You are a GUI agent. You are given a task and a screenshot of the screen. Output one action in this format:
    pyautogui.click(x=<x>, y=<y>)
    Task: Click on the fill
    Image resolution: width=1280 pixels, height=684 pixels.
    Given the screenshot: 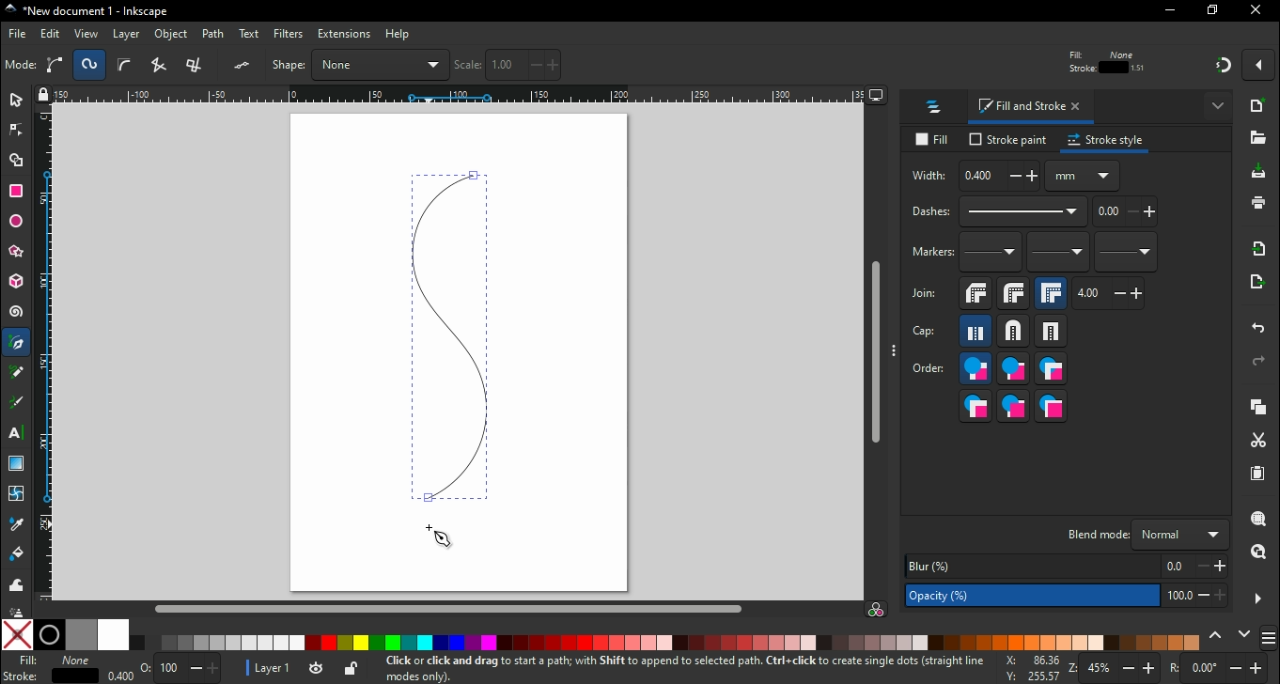 What is the action you would take?
    pyautogui.click(x=932, y=139)
    